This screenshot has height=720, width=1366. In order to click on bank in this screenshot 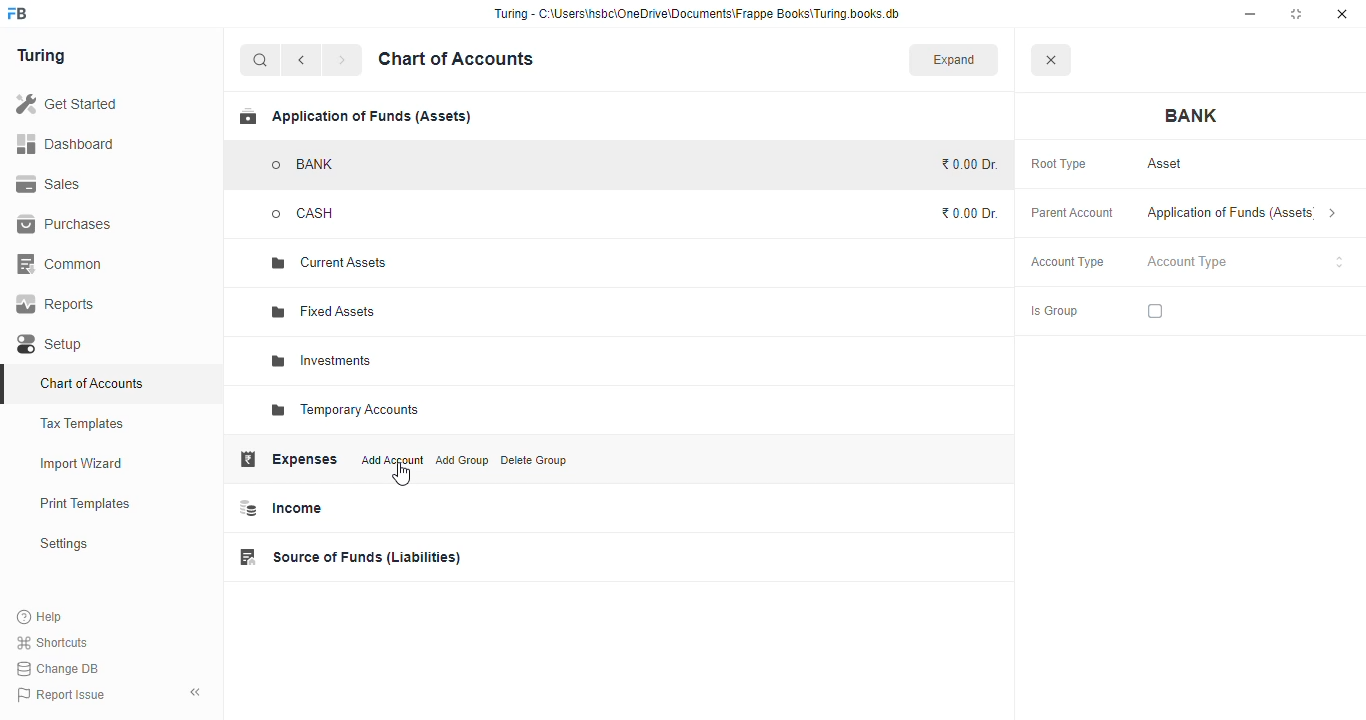, I will do `click(1192, 116)`.